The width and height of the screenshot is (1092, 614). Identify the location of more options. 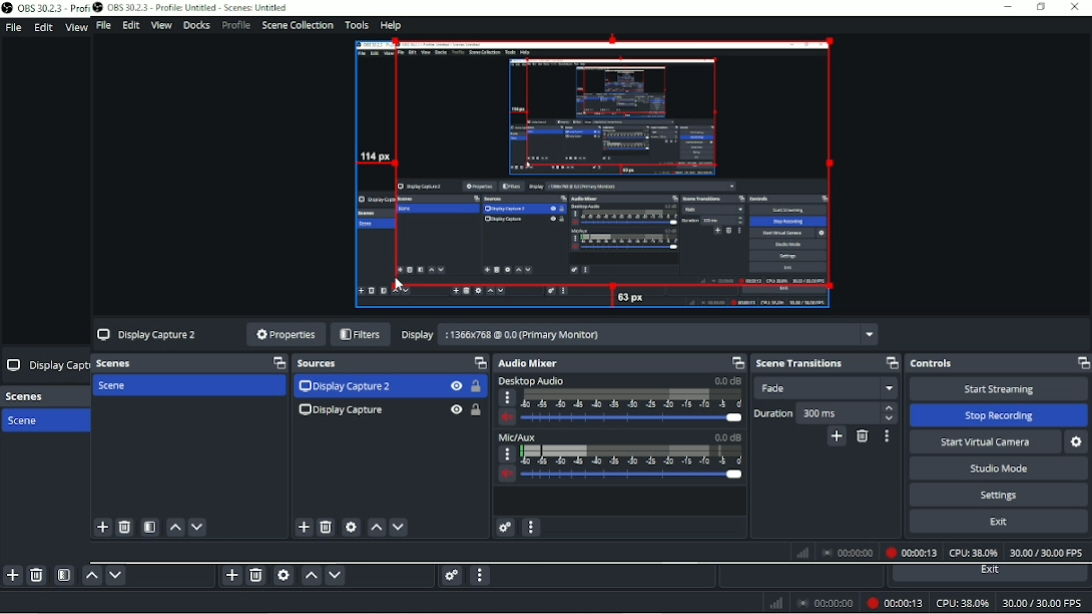
(504, 455).